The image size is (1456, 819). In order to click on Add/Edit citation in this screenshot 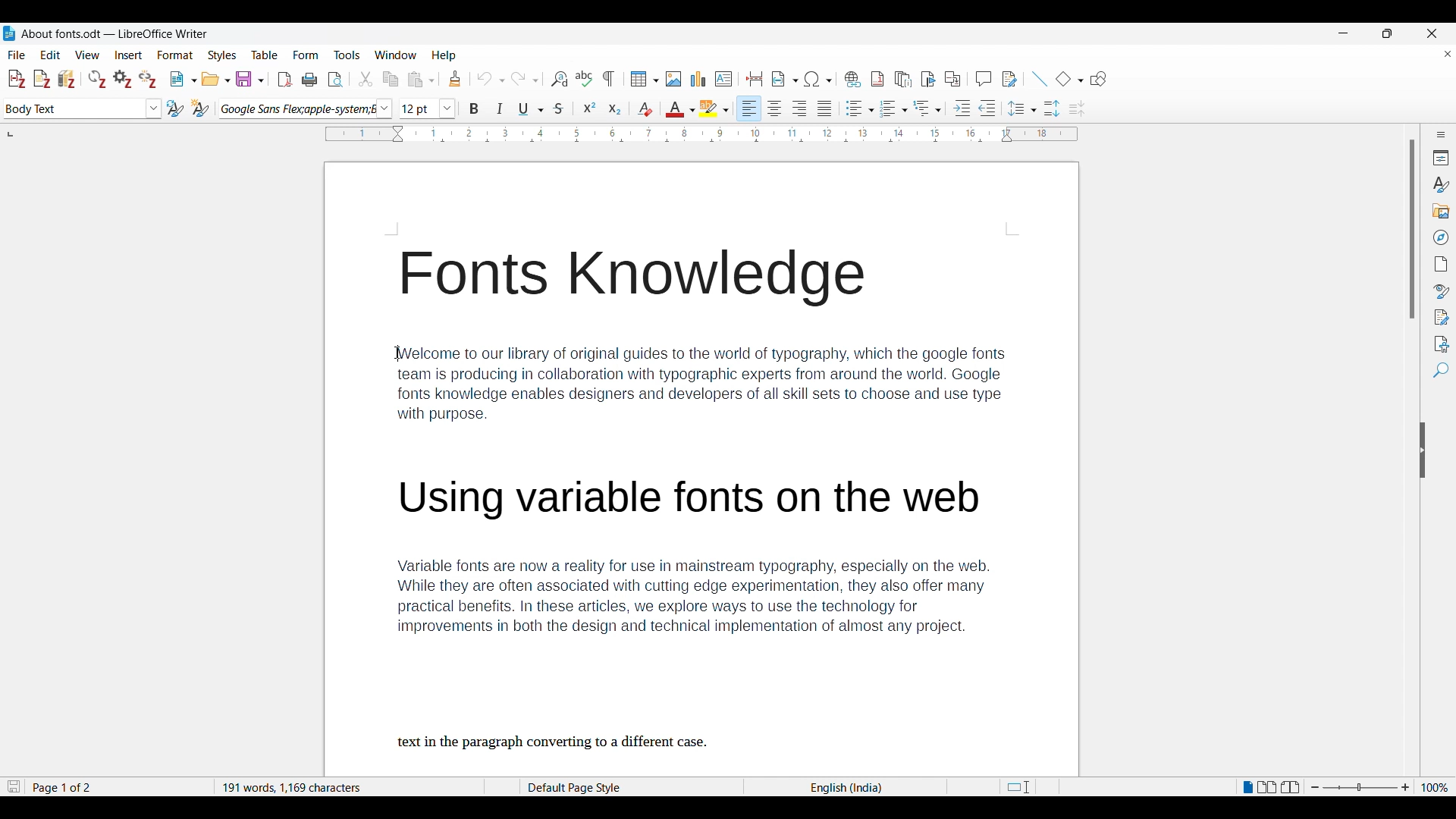, I will do `click(17, 79)`.